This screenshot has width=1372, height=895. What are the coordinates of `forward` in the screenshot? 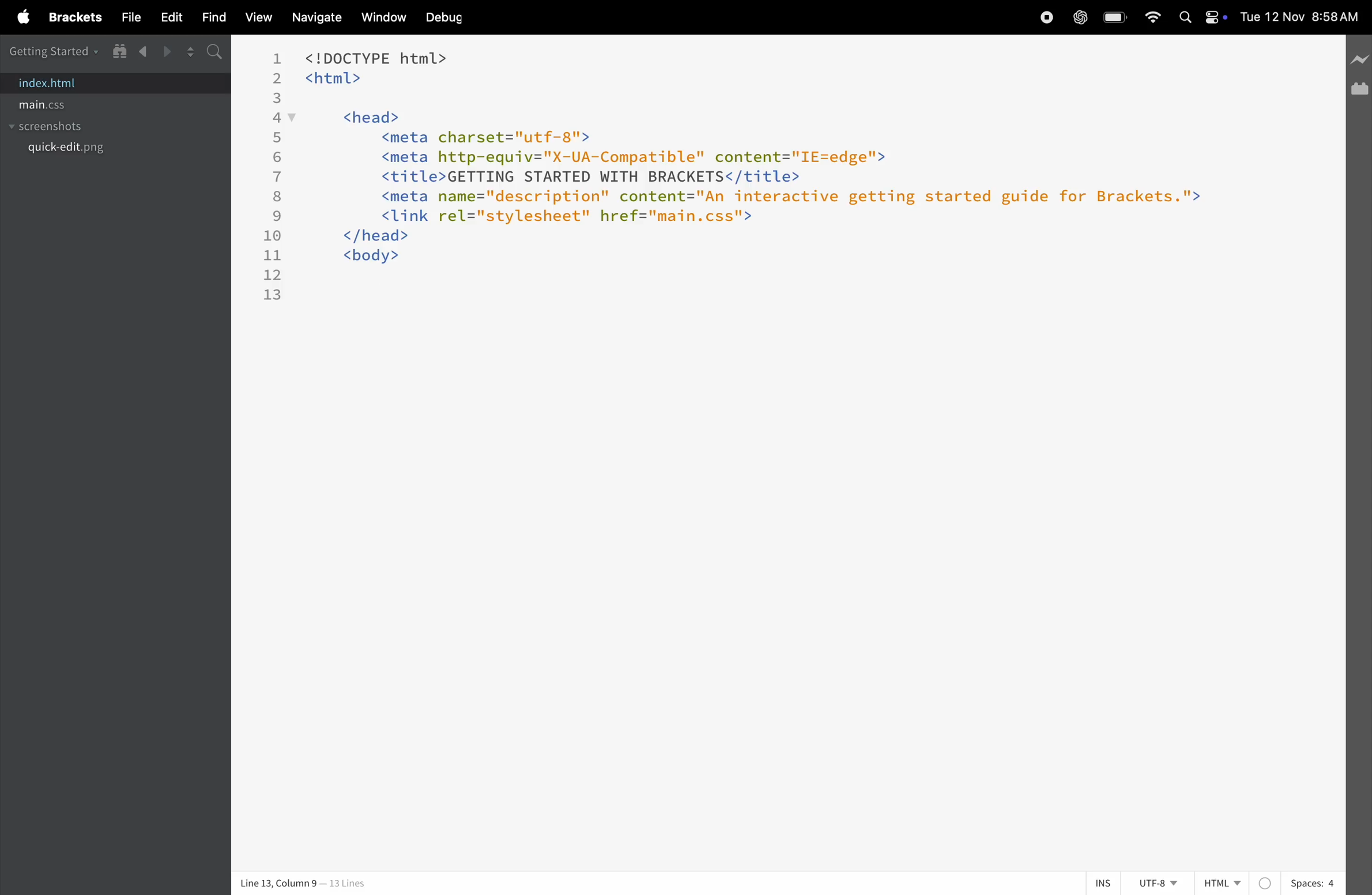 It's located at (166, 51).